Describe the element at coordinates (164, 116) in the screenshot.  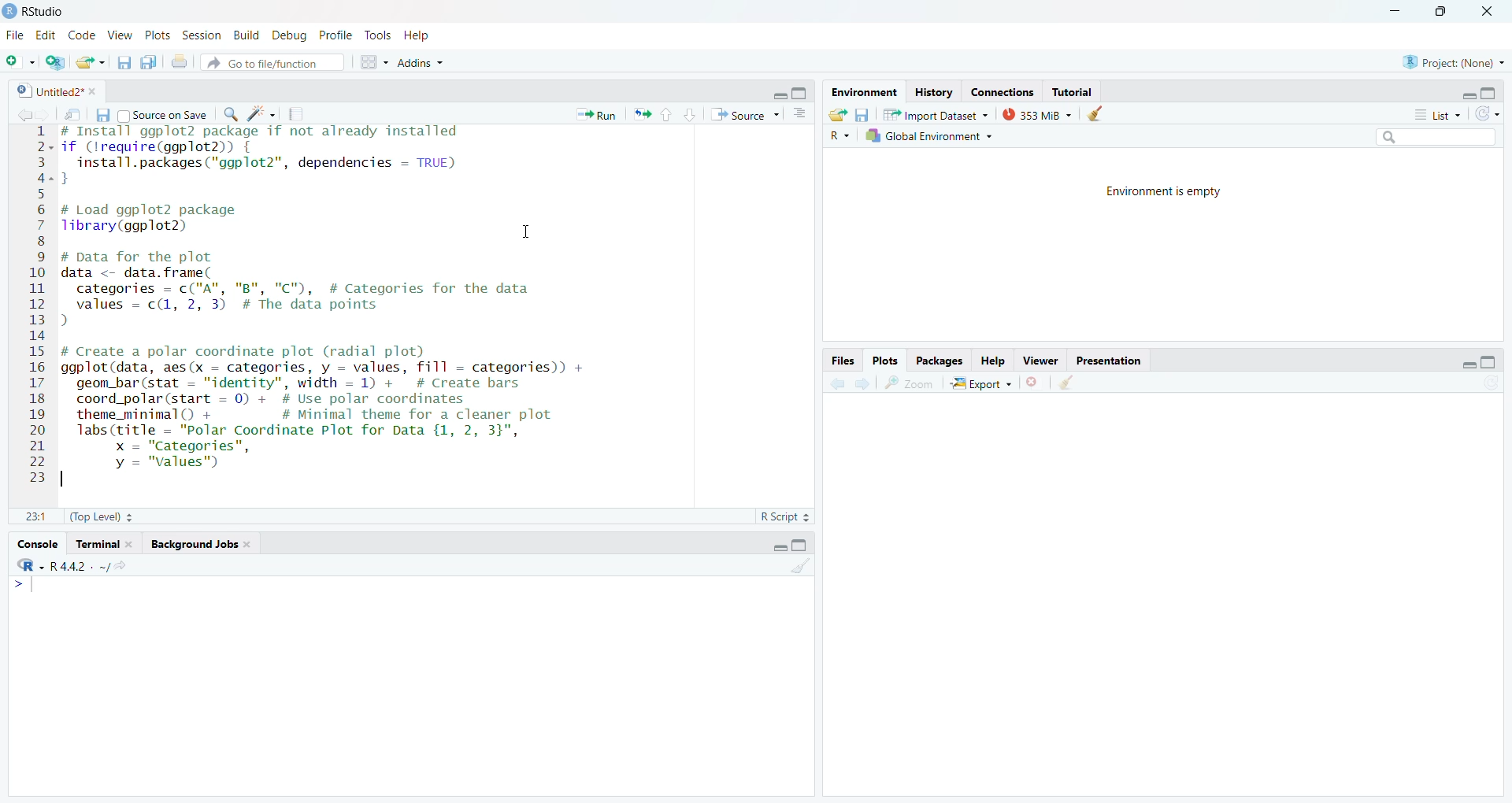
I see `Source on Save` at that location.